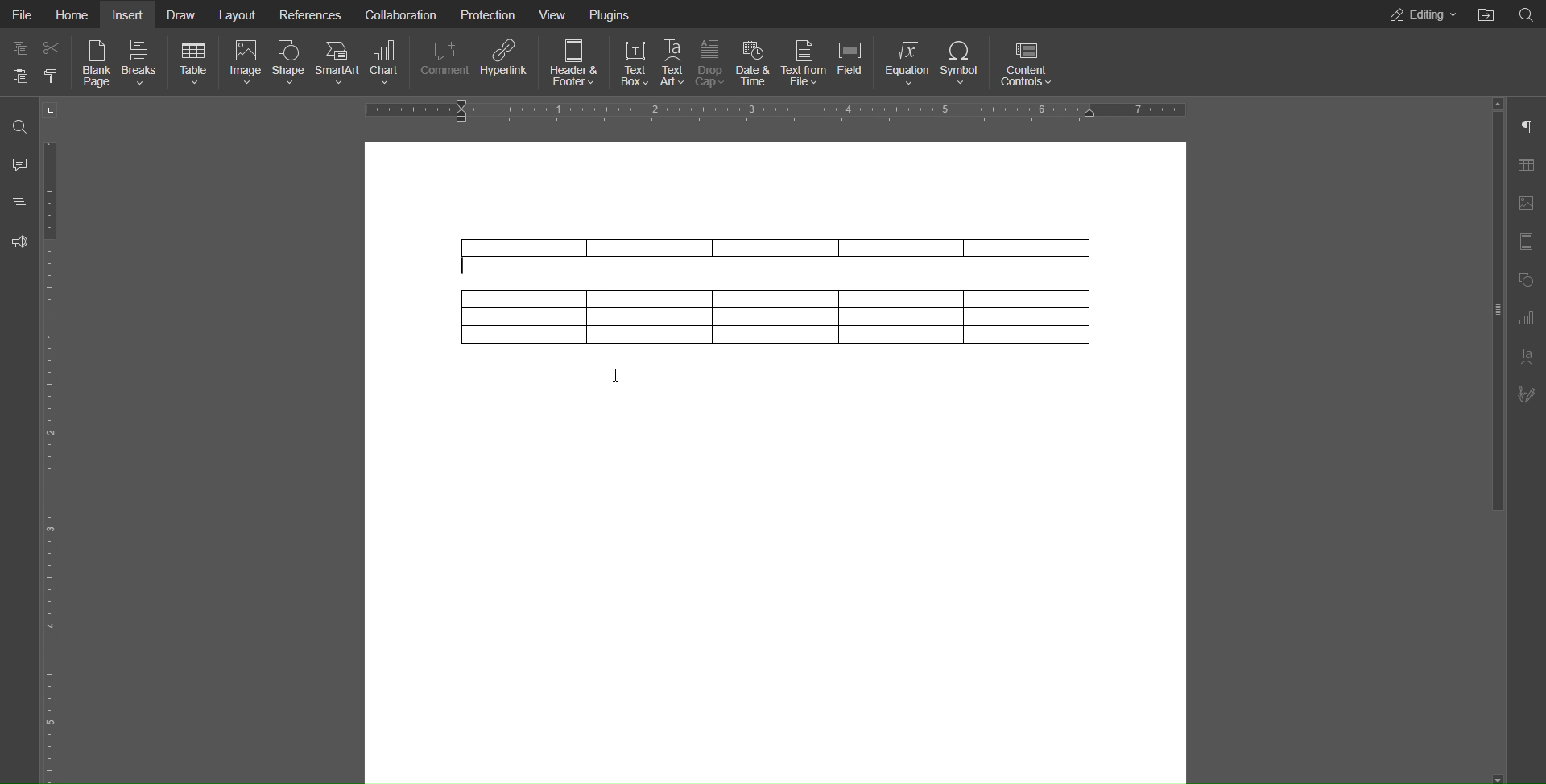 The image size is (1546, 784). What do you see at coordinates (1526, 204) in the screenshot?
I see `Image Settings` at bounding box center [1526, 204].